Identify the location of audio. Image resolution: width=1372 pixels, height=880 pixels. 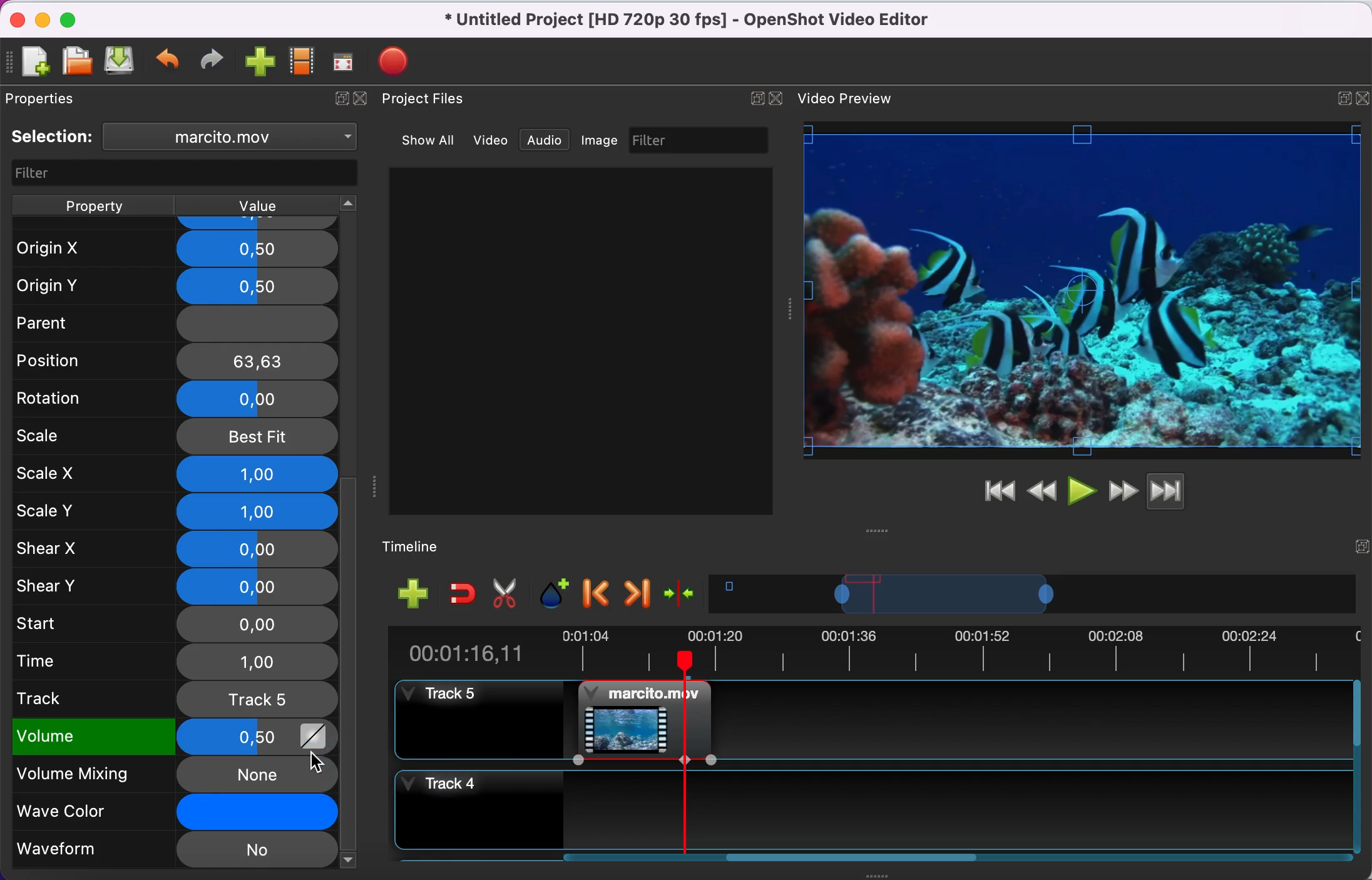
(549, 141).